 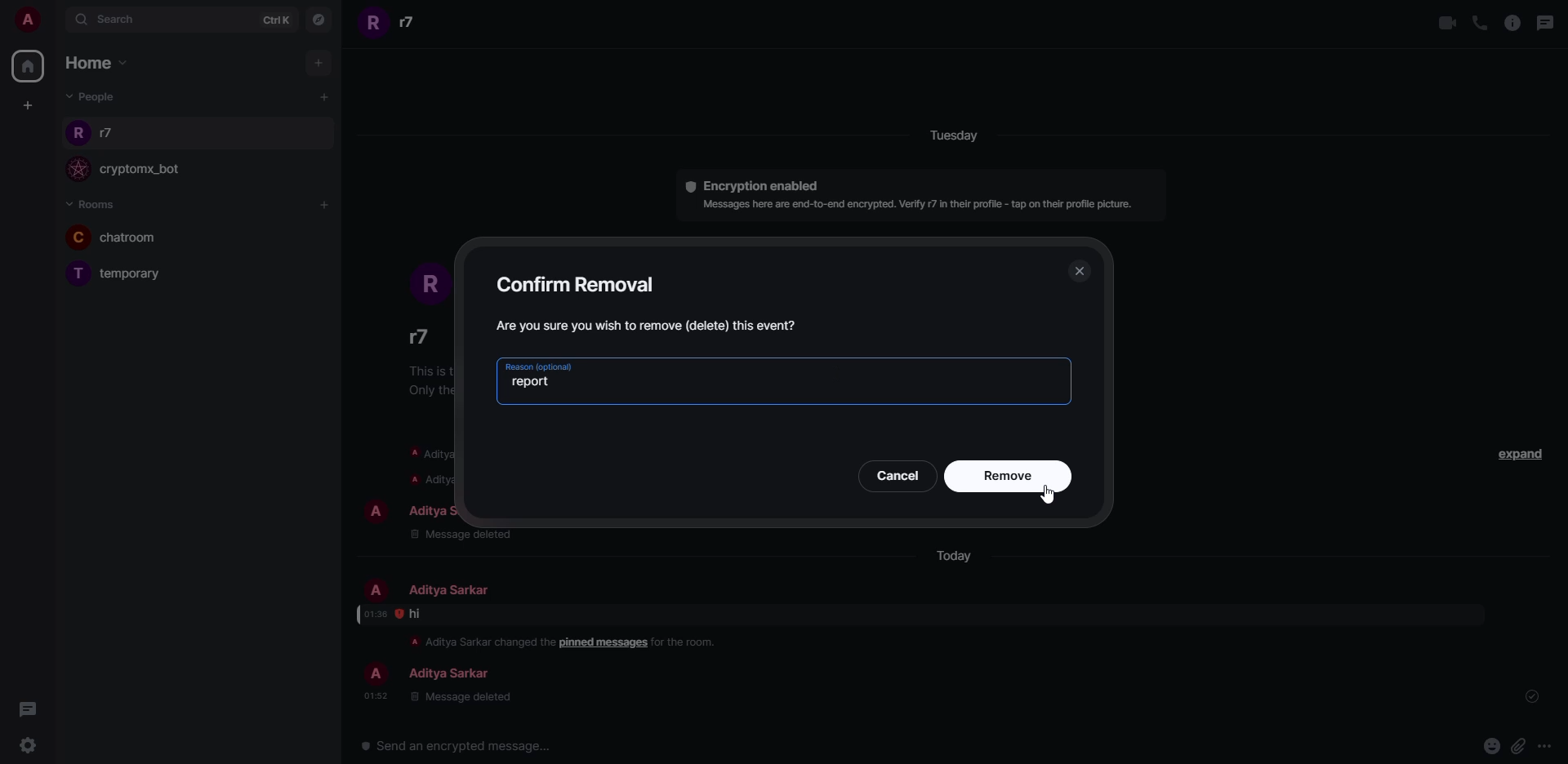 I want to click on threads, so click(x=33, y=710).